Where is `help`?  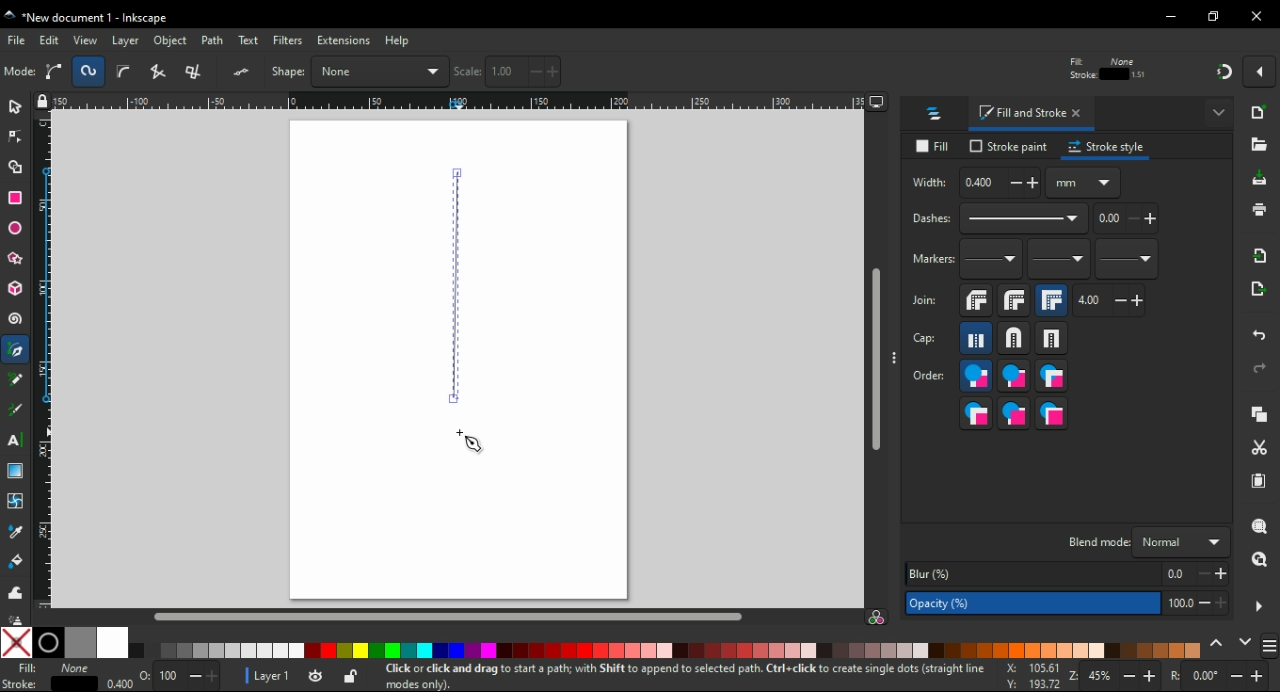 help is located at coordinates (397, 40).